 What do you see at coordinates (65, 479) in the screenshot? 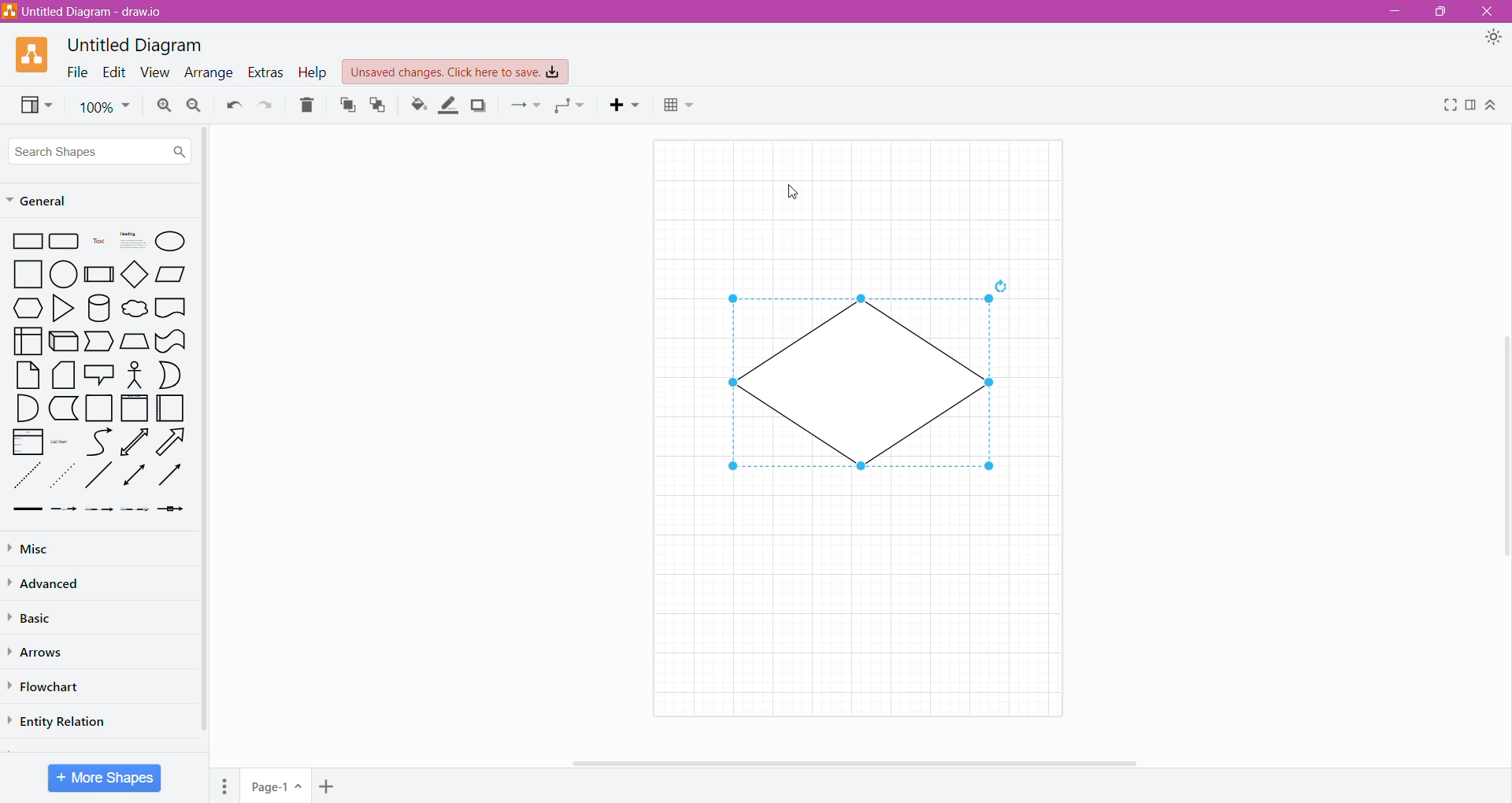
I see `Dotted Line` at bounding box center [65, 479].